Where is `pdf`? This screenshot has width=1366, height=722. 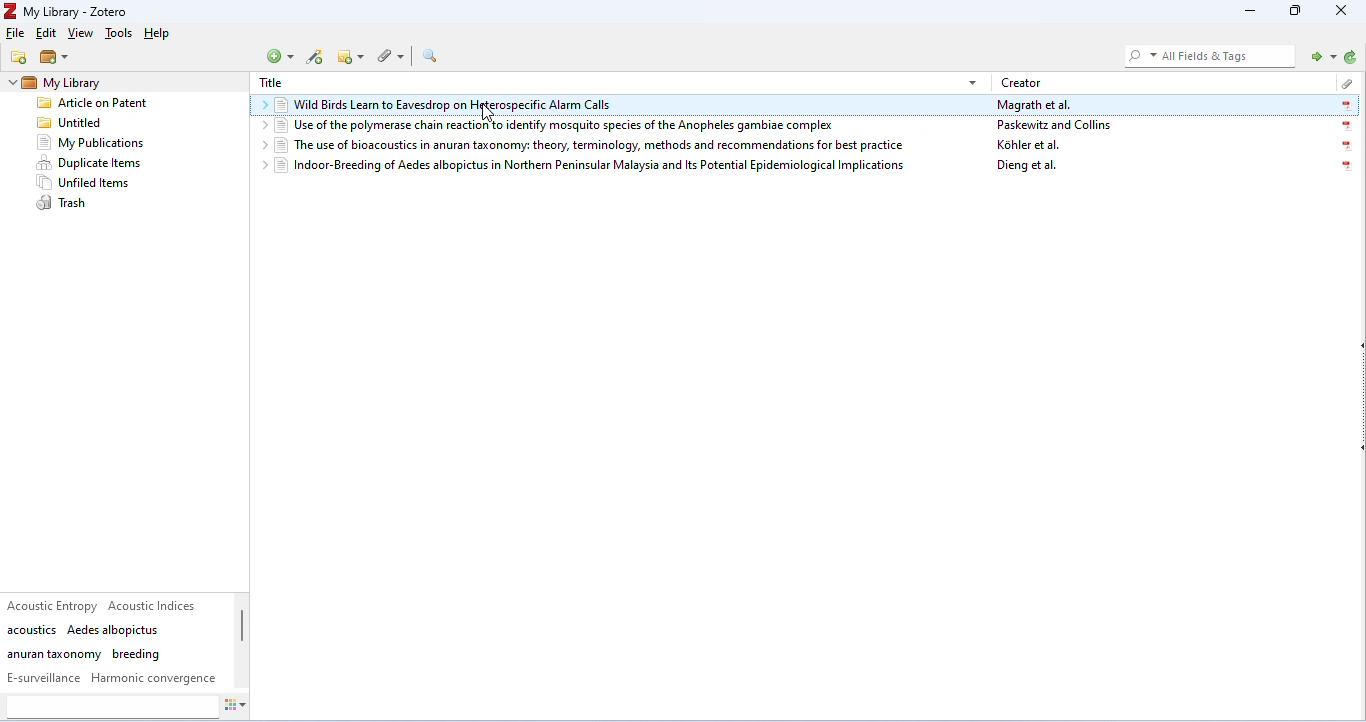 pdf is located at coordinates (1343, 167).